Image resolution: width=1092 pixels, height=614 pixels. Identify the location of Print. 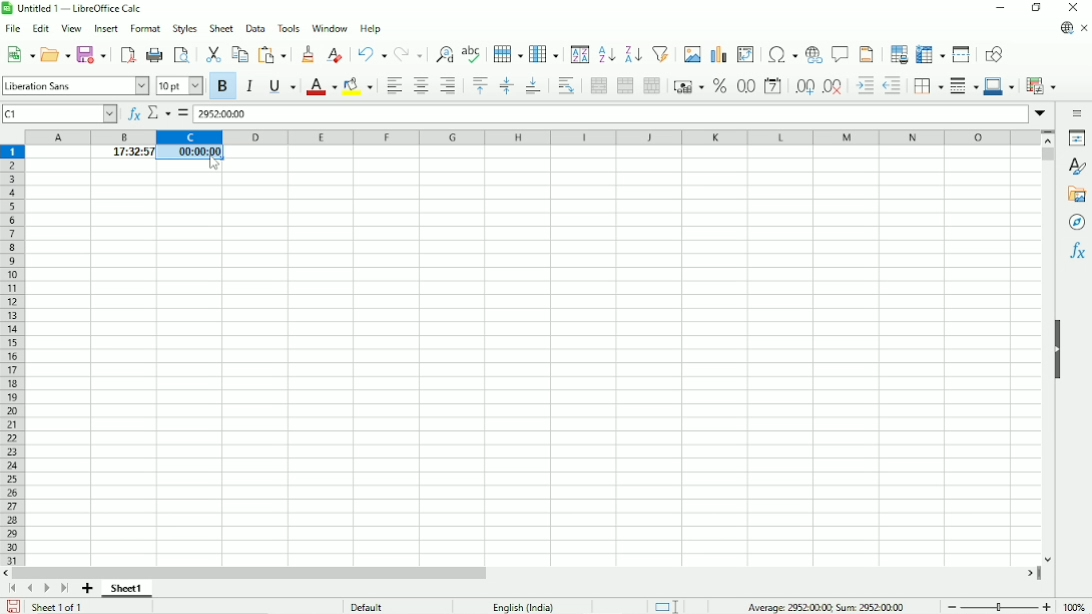
(155, 54).